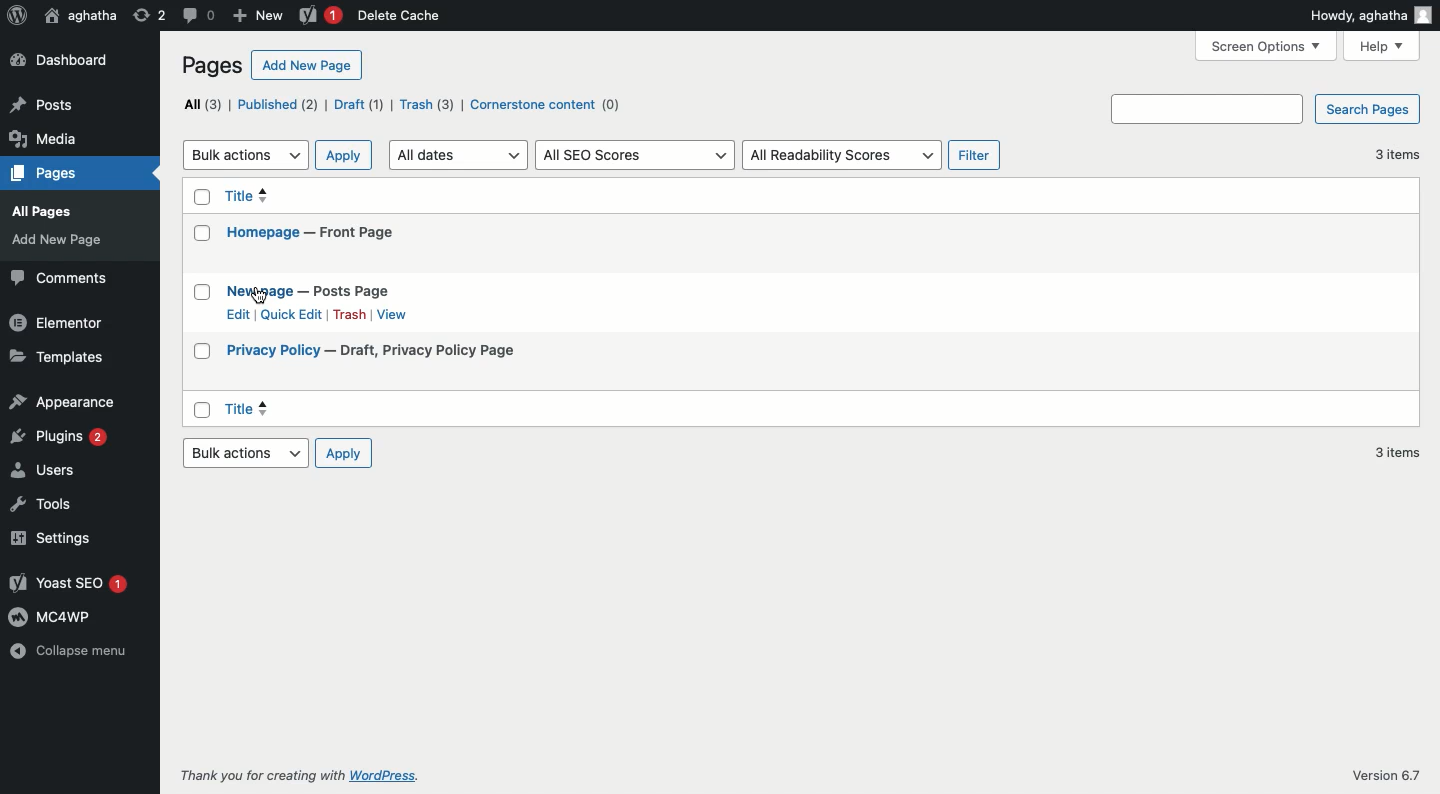 This screenshot has width=1440, height=794. What do you see at coordinates (65, 402) in the screenshot?
I see `Appearance` at bounding box center [65, 402].